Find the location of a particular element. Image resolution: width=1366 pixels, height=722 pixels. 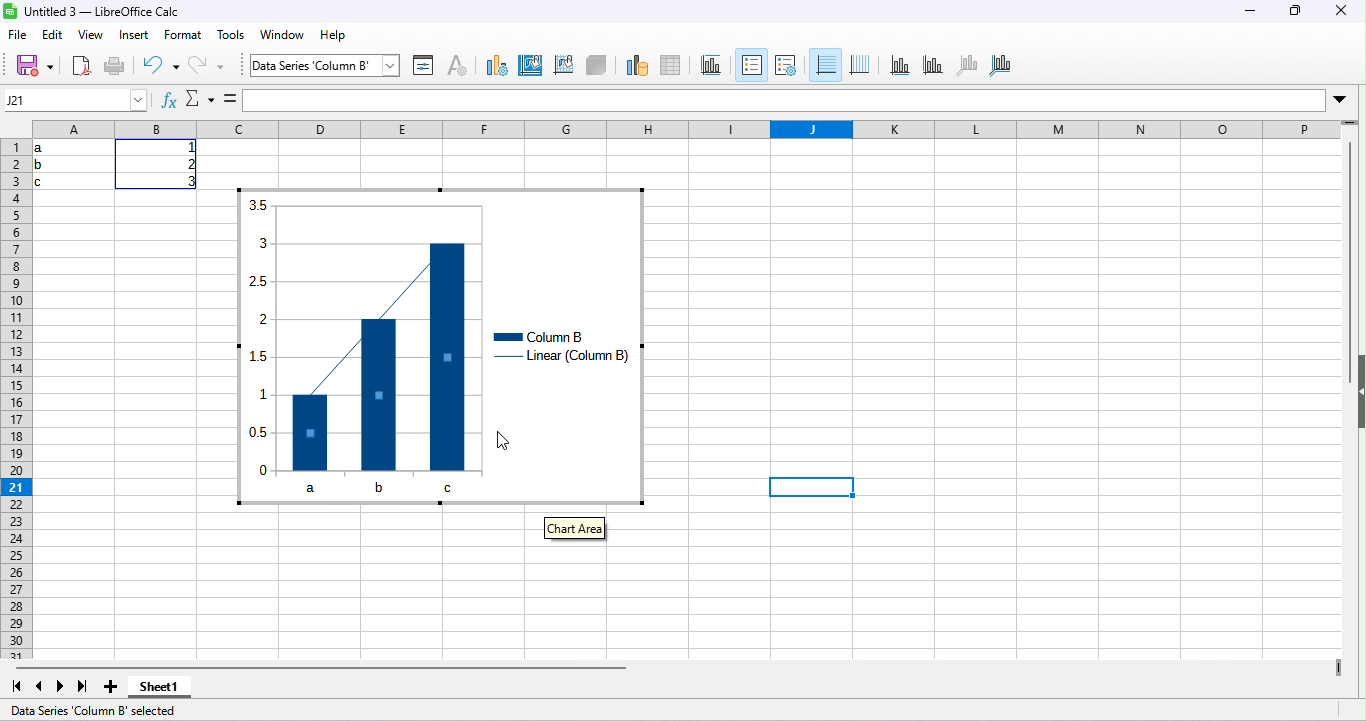

data ranges is located at coordinates (634, 64).